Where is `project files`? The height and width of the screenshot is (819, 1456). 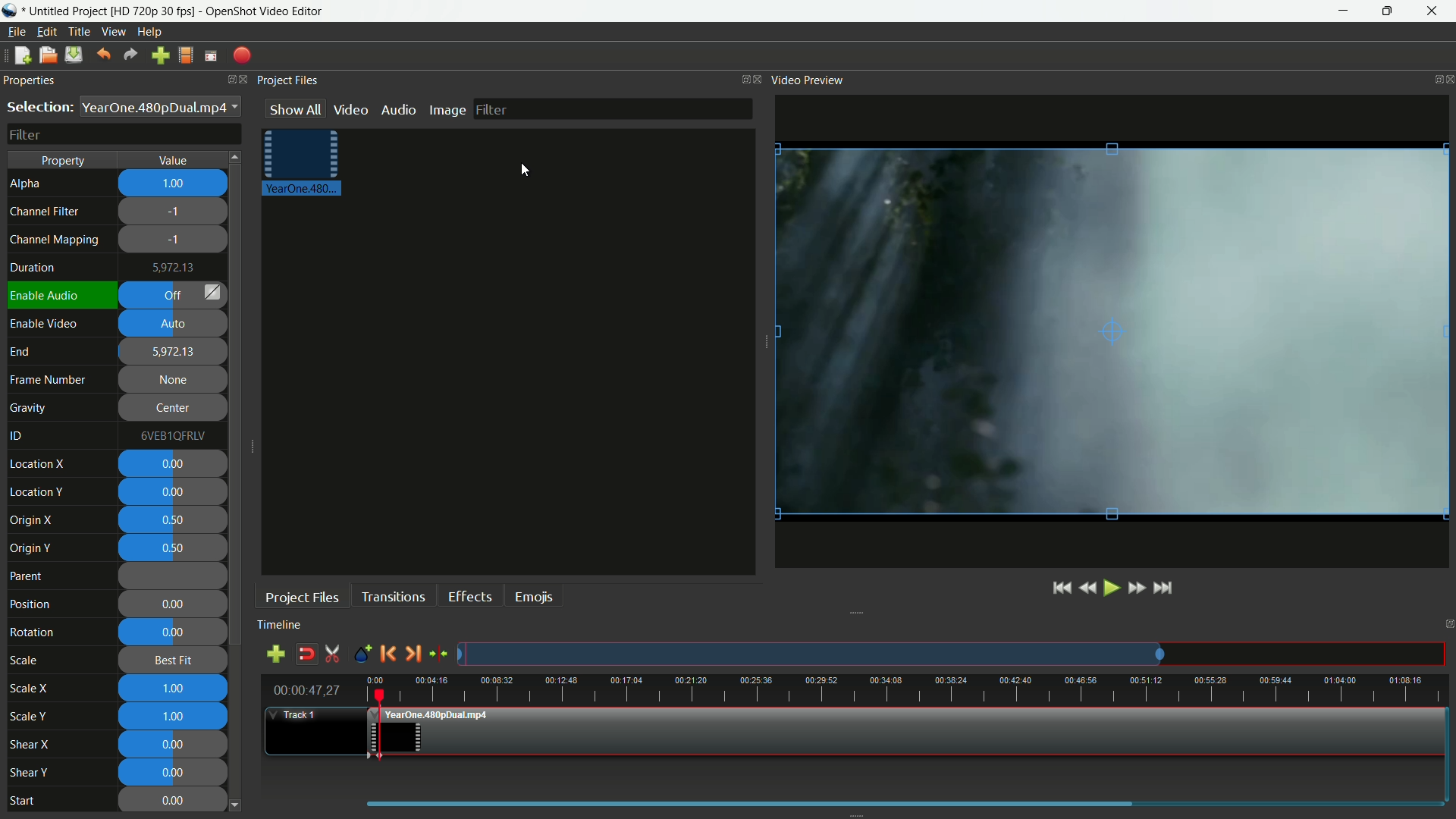
project files is located at coordinates (302, 597).